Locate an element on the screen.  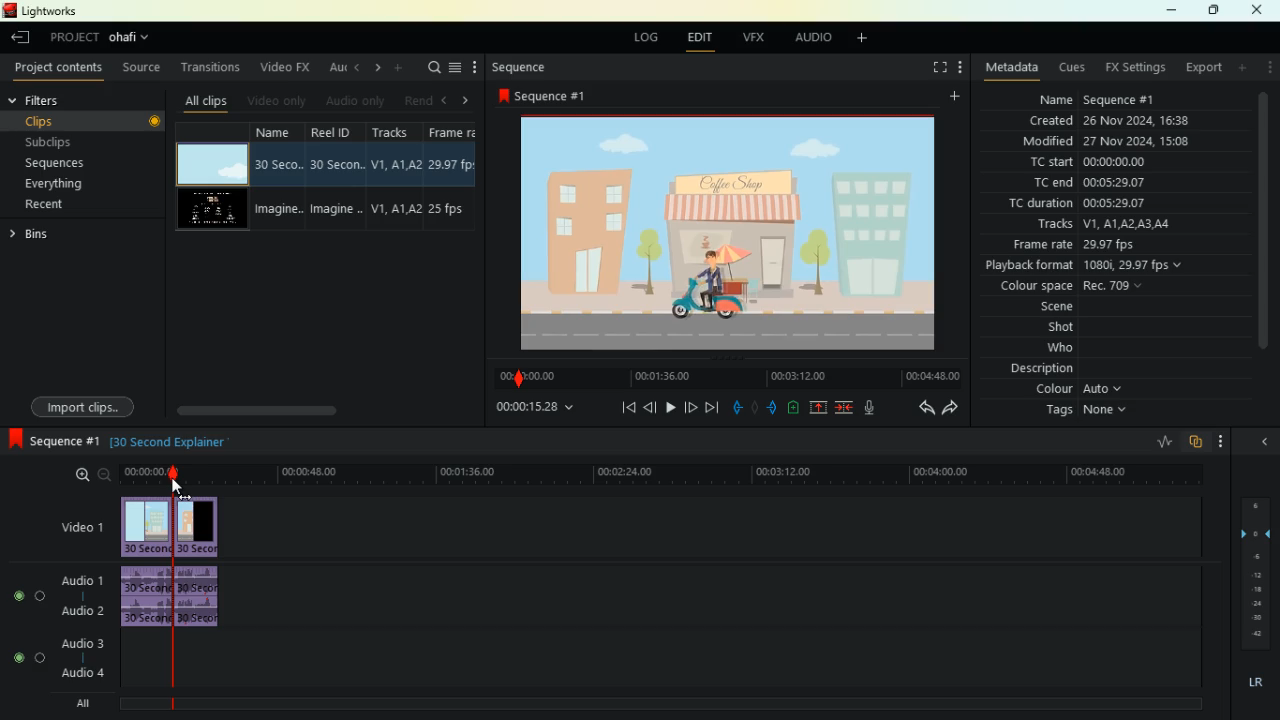
everything is located at coordinates (62, 184).